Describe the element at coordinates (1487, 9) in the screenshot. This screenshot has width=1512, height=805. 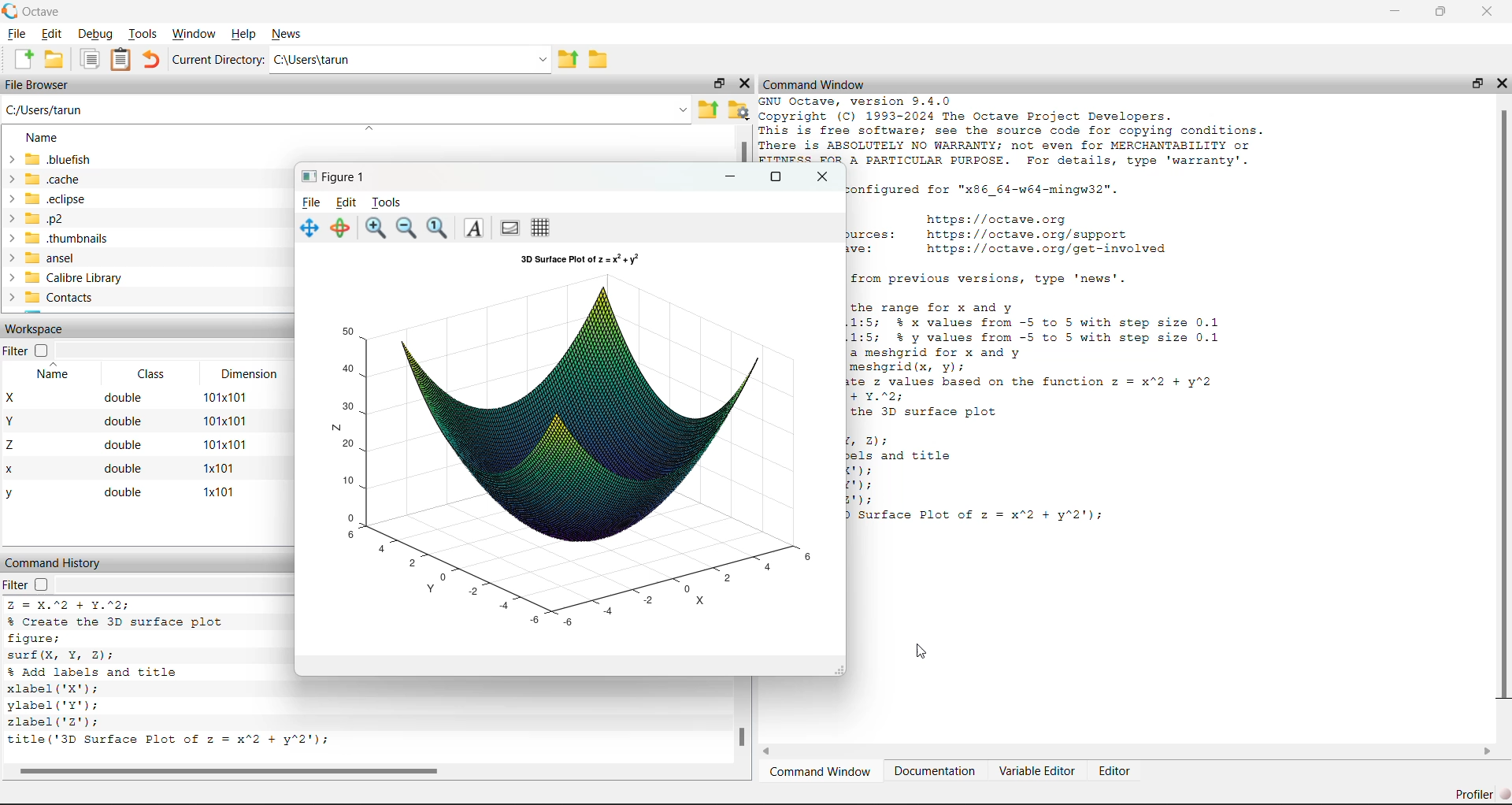
I see `Close` at that location.